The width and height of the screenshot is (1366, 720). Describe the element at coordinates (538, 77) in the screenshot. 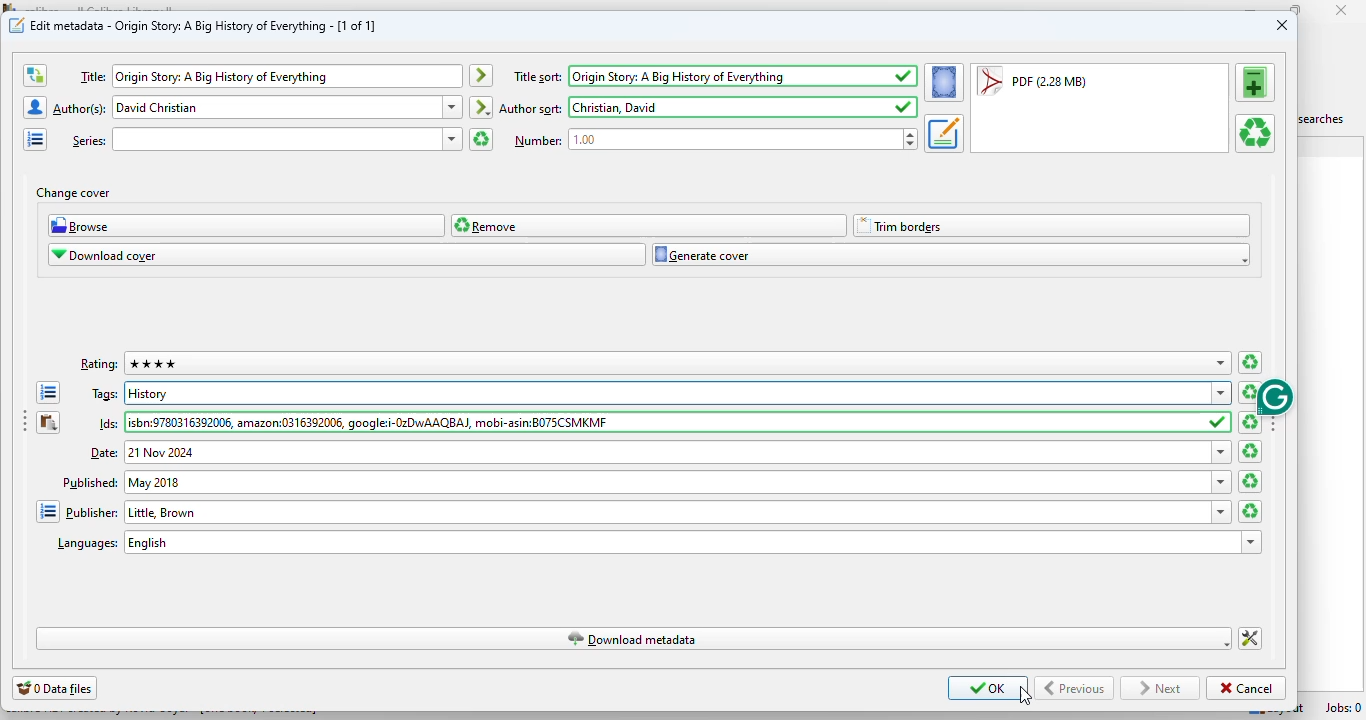

I see `text` at that location.